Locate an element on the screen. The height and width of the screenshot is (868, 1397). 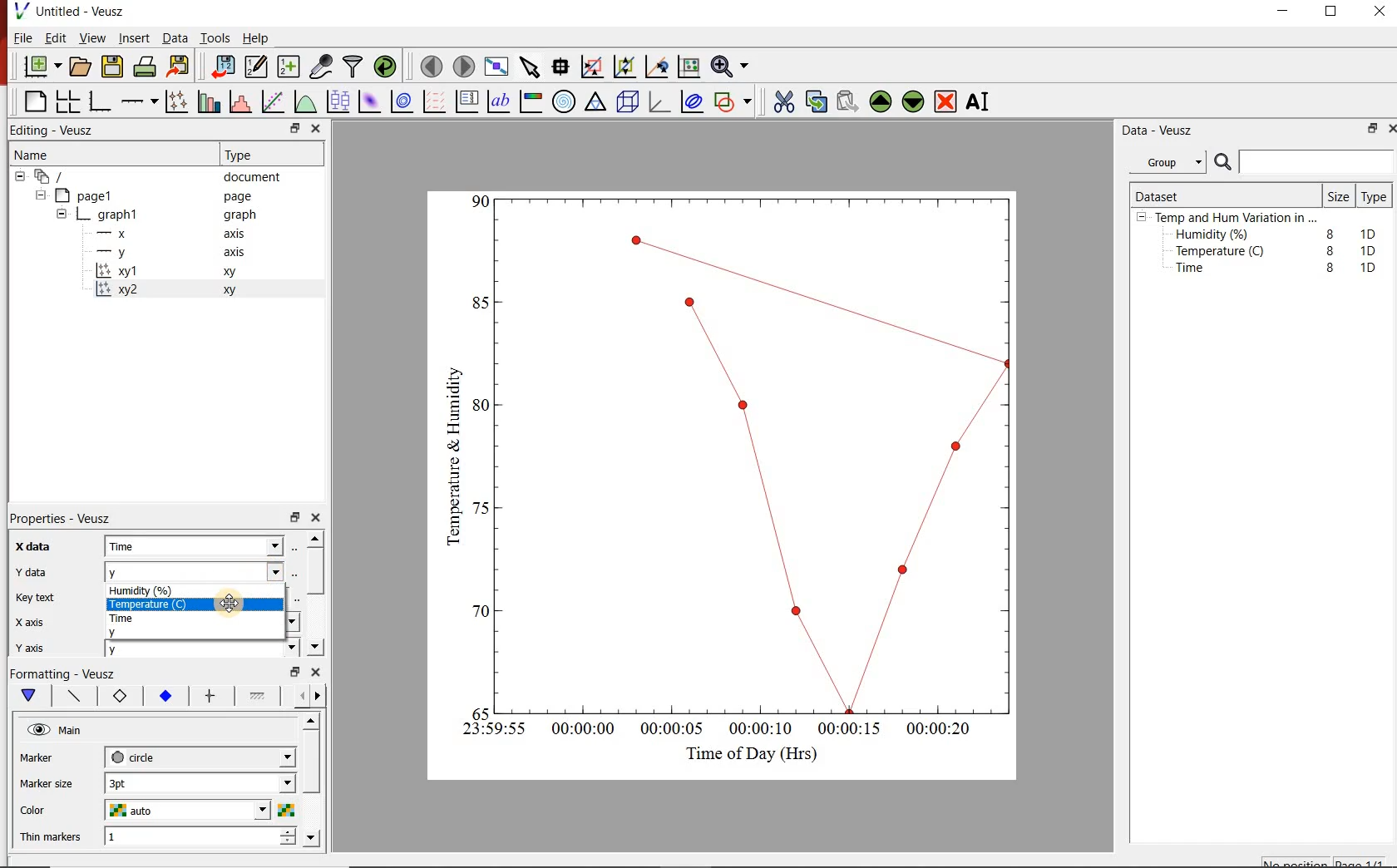
marker fill is located at coordinates (165, 696).